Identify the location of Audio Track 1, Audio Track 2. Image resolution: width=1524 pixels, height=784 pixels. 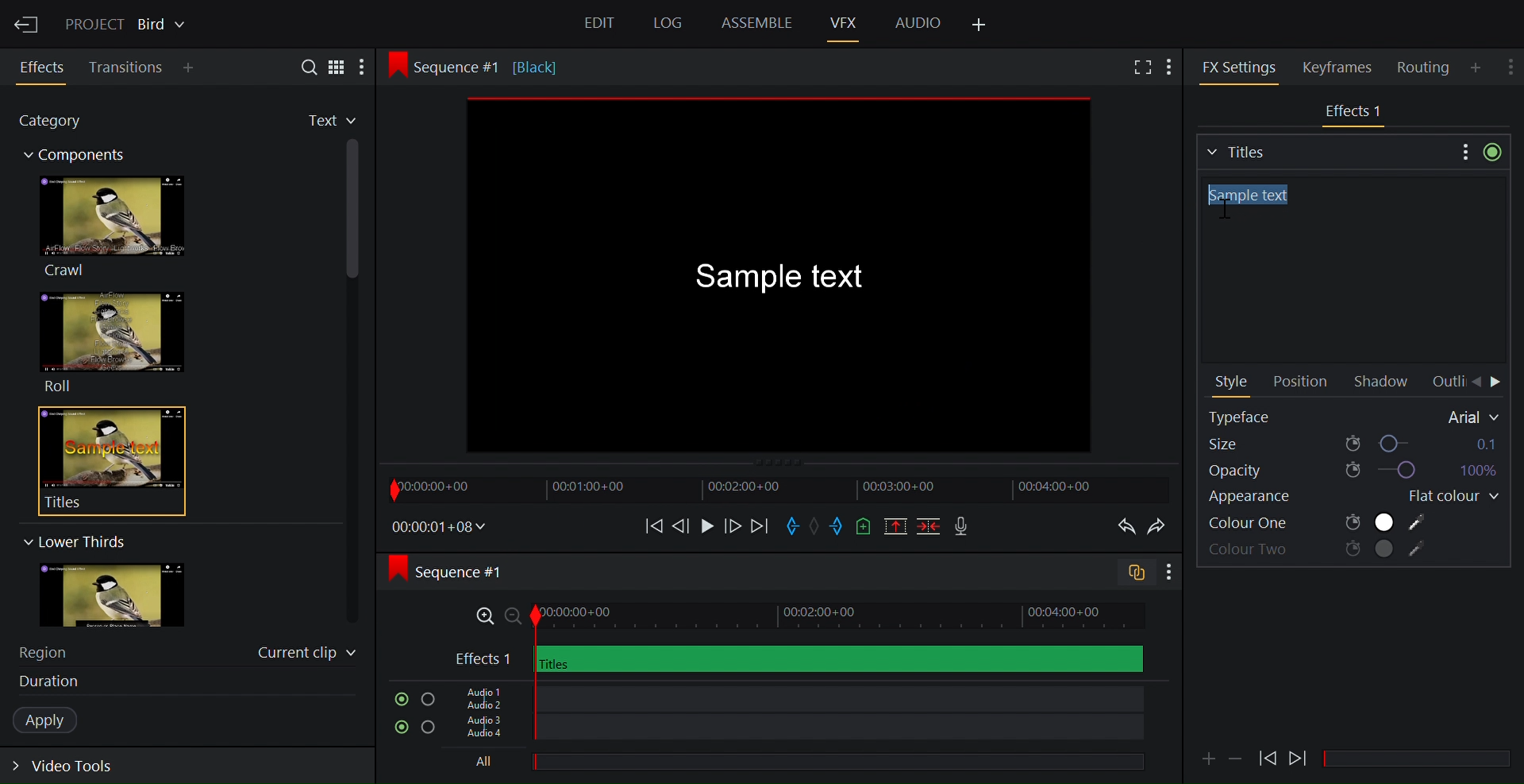
(794, 697).